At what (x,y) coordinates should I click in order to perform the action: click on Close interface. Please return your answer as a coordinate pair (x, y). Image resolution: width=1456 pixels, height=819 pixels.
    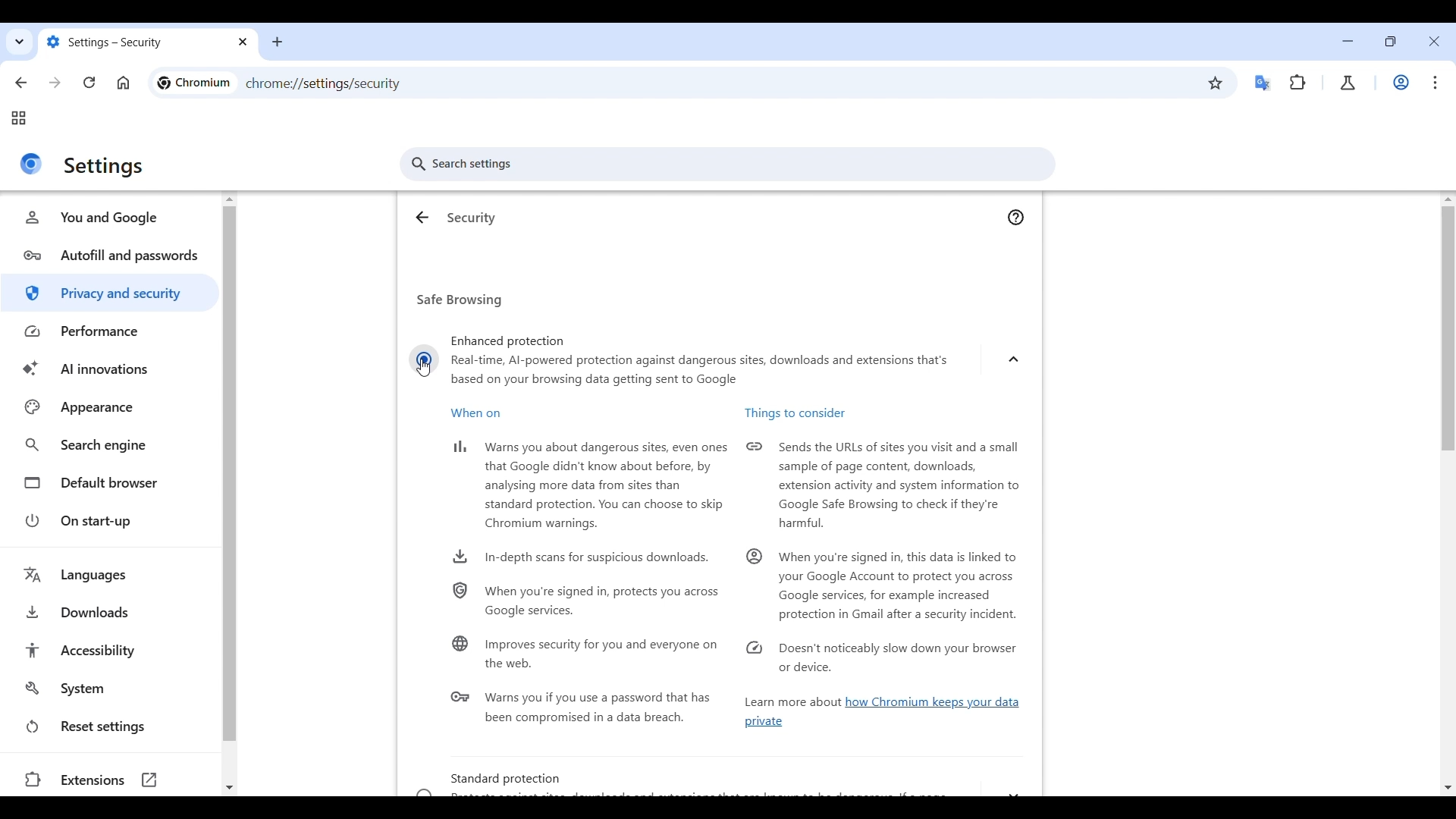
    Looking at the image, I should click on (1434, 42).